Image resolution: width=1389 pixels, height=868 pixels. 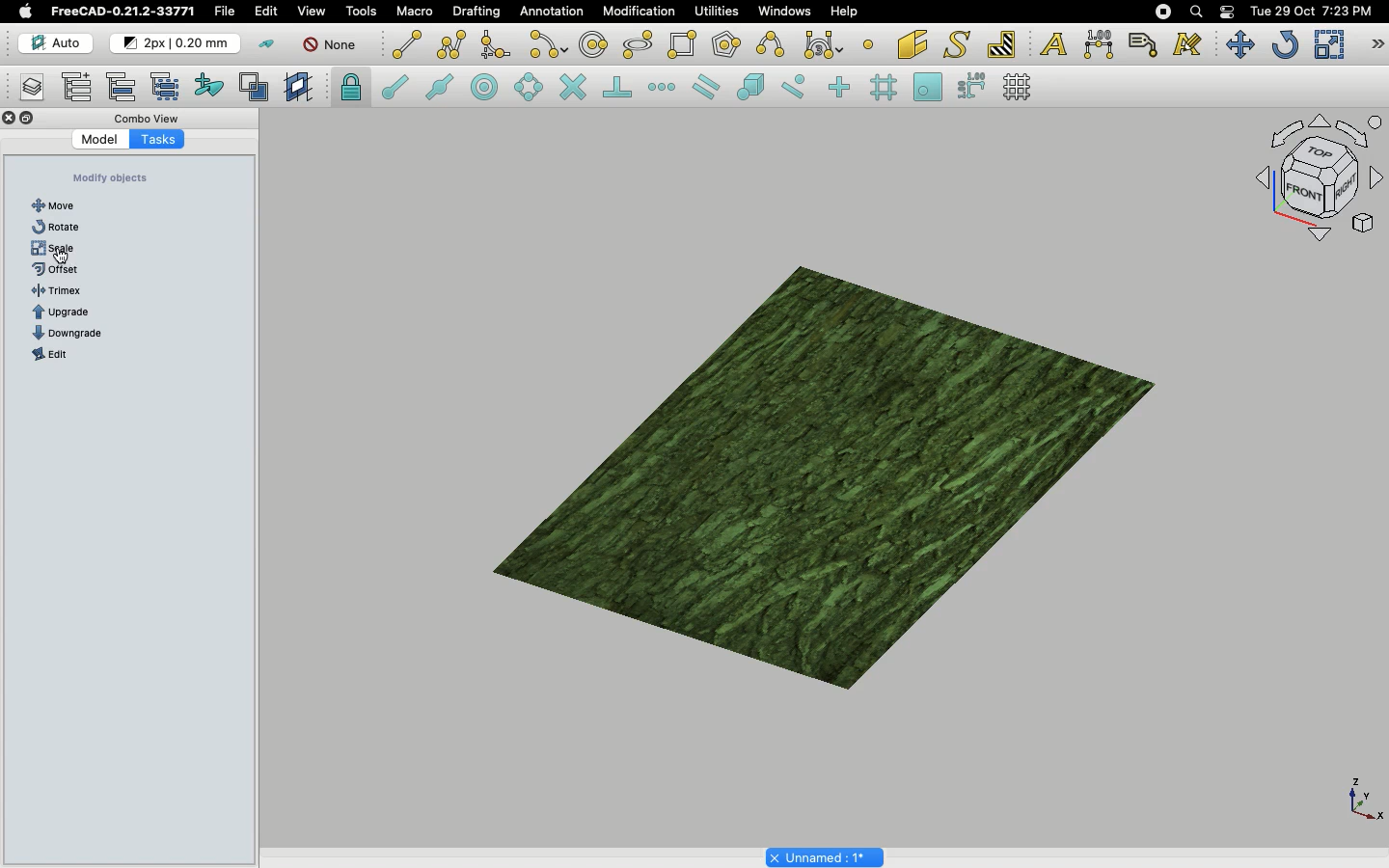 What do you see at coordinates (122, 12) in the screenshot?
I see `FreeCAD` at bounding box center [122, 12].